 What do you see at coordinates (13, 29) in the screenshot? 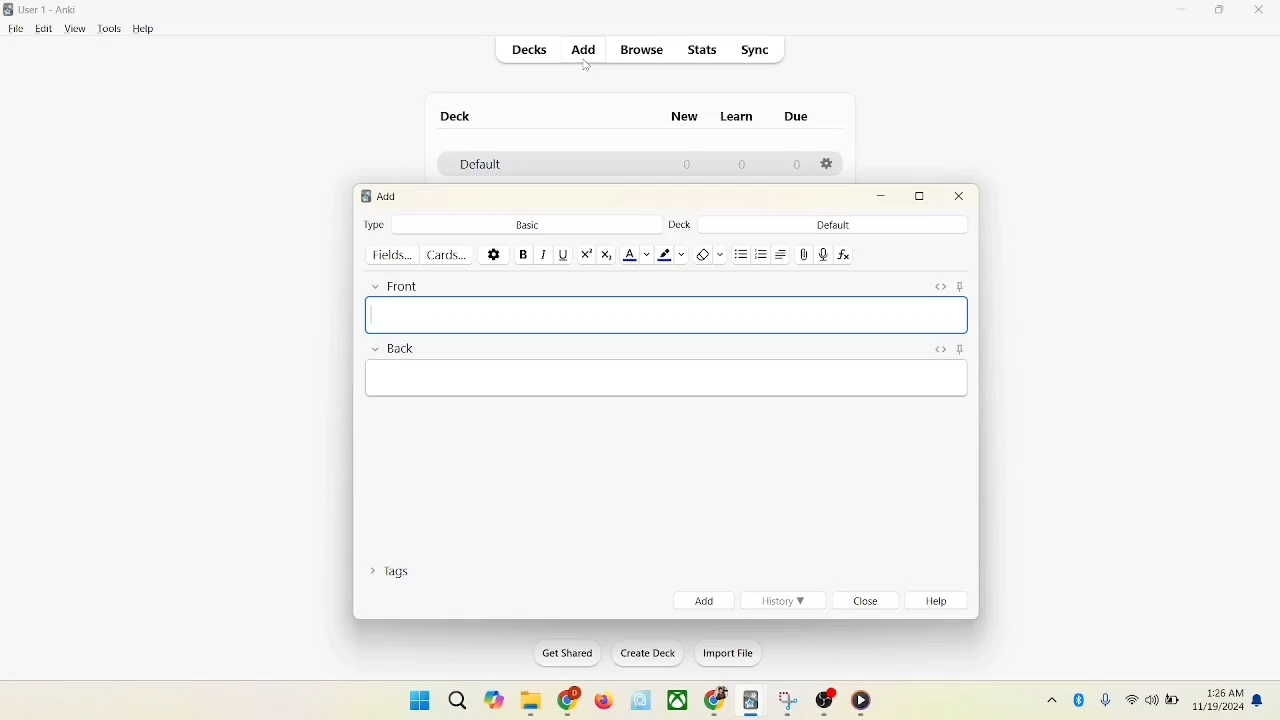
I see `file` at bounding box center [13, 29].